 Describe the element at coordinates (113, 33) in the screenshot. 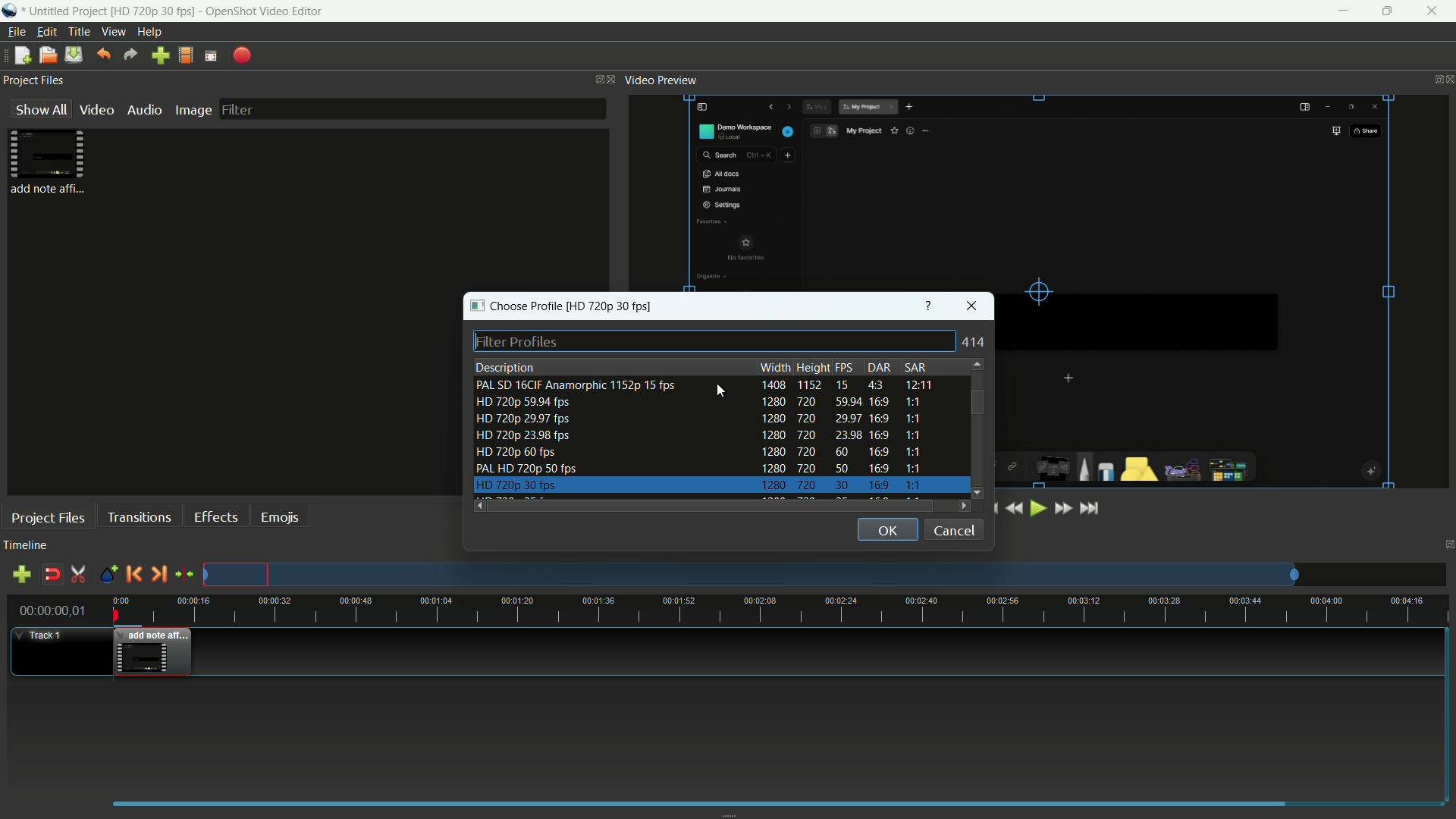

I see `view menu` at that location.